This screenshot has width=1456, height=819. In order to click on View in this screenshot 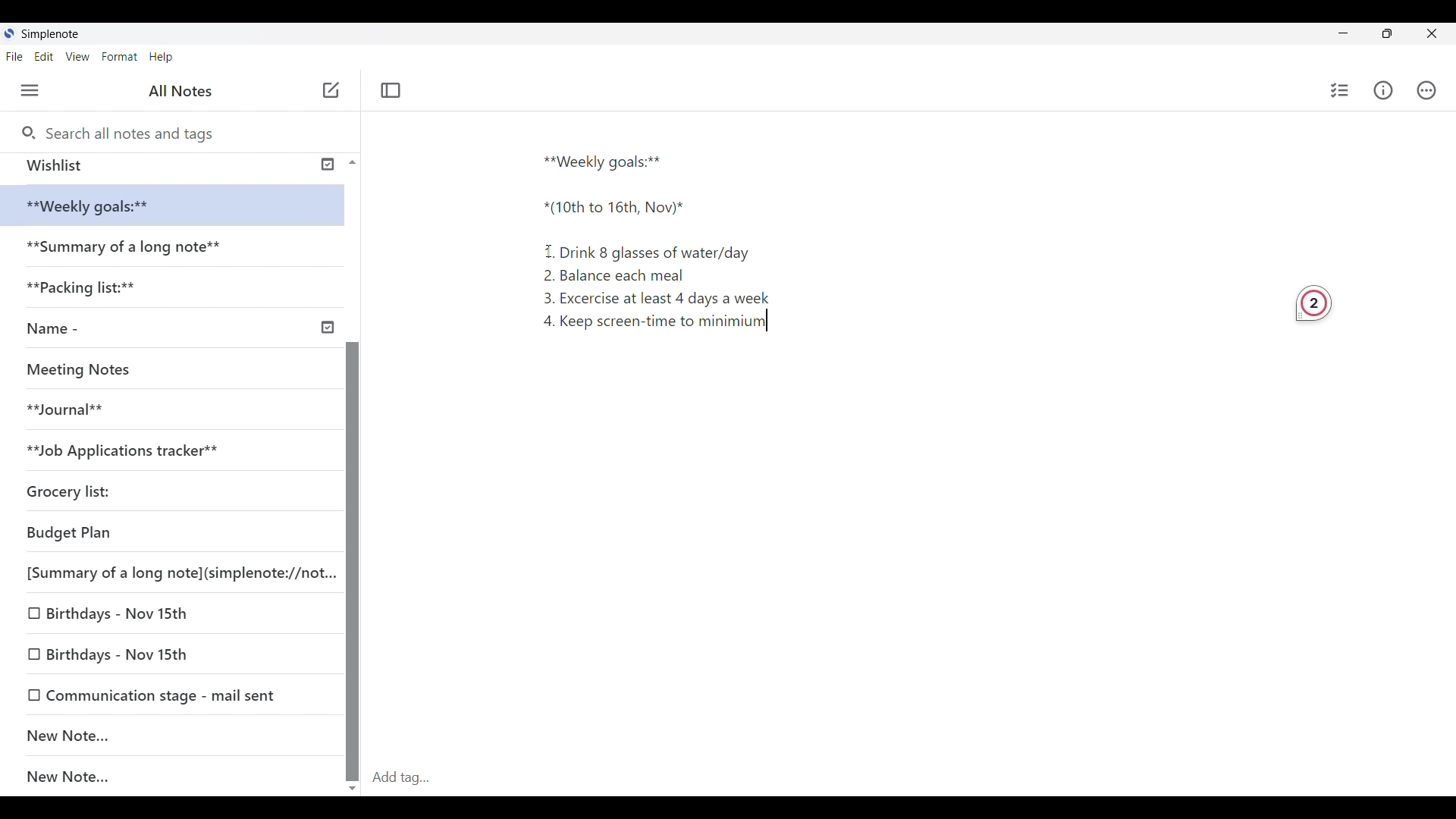, I will do `click(80, 58)`.